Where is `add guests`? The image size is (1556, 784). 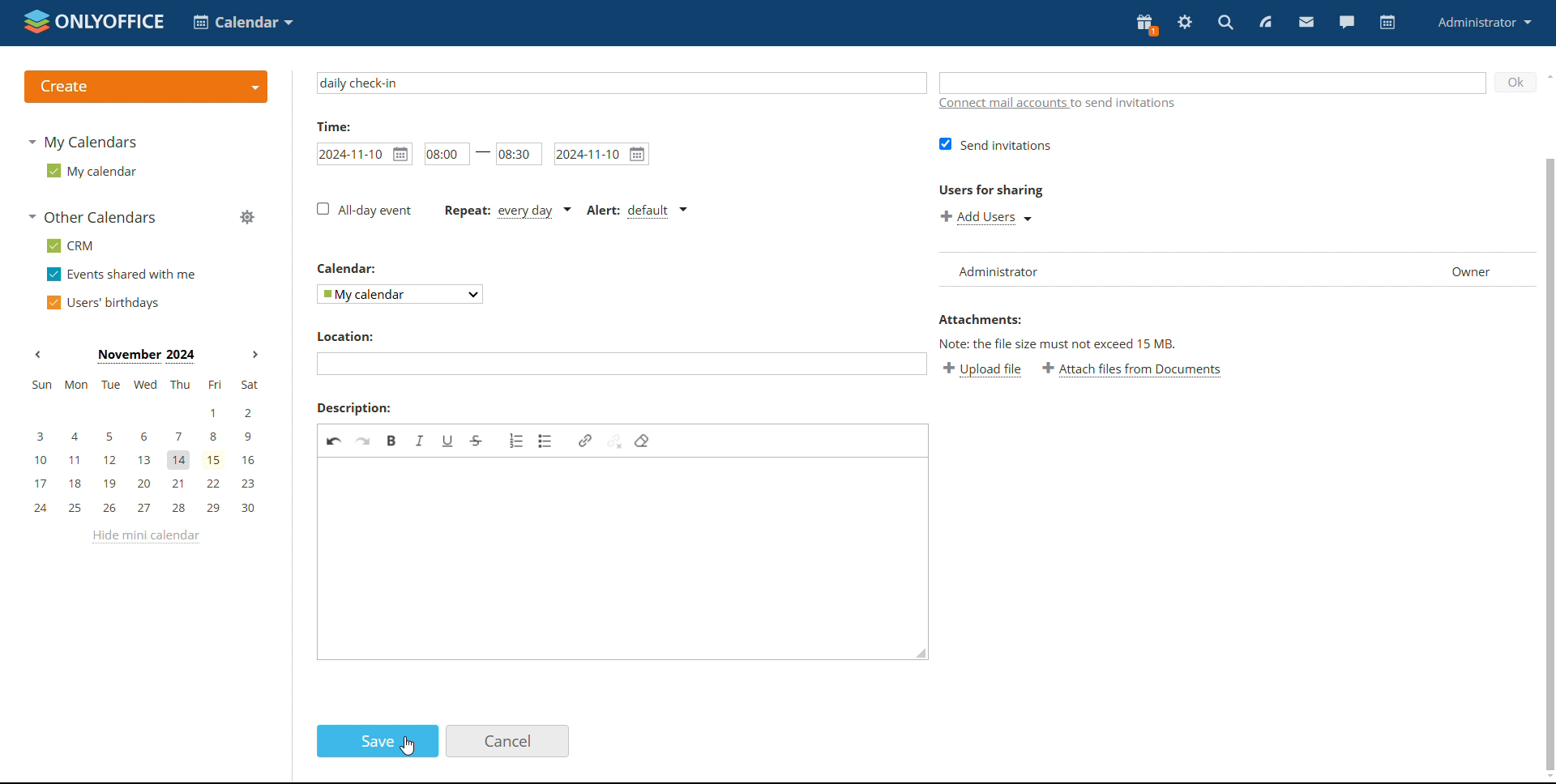 add guests is located at coordinates (1213, 78).